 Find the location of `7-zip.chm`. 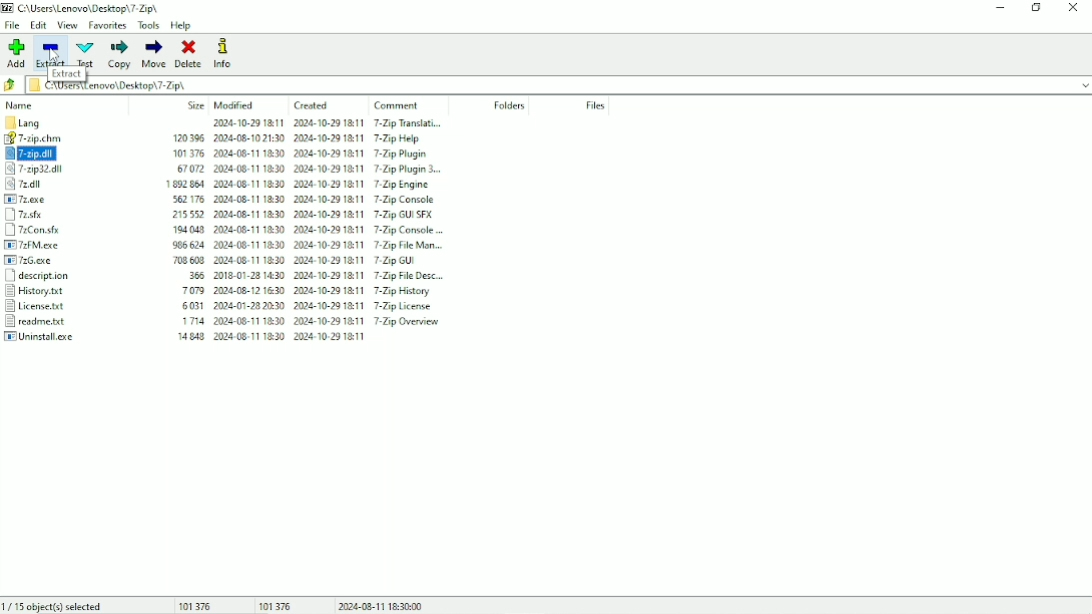

7-zip.chm is located at coordinates (51, 139).